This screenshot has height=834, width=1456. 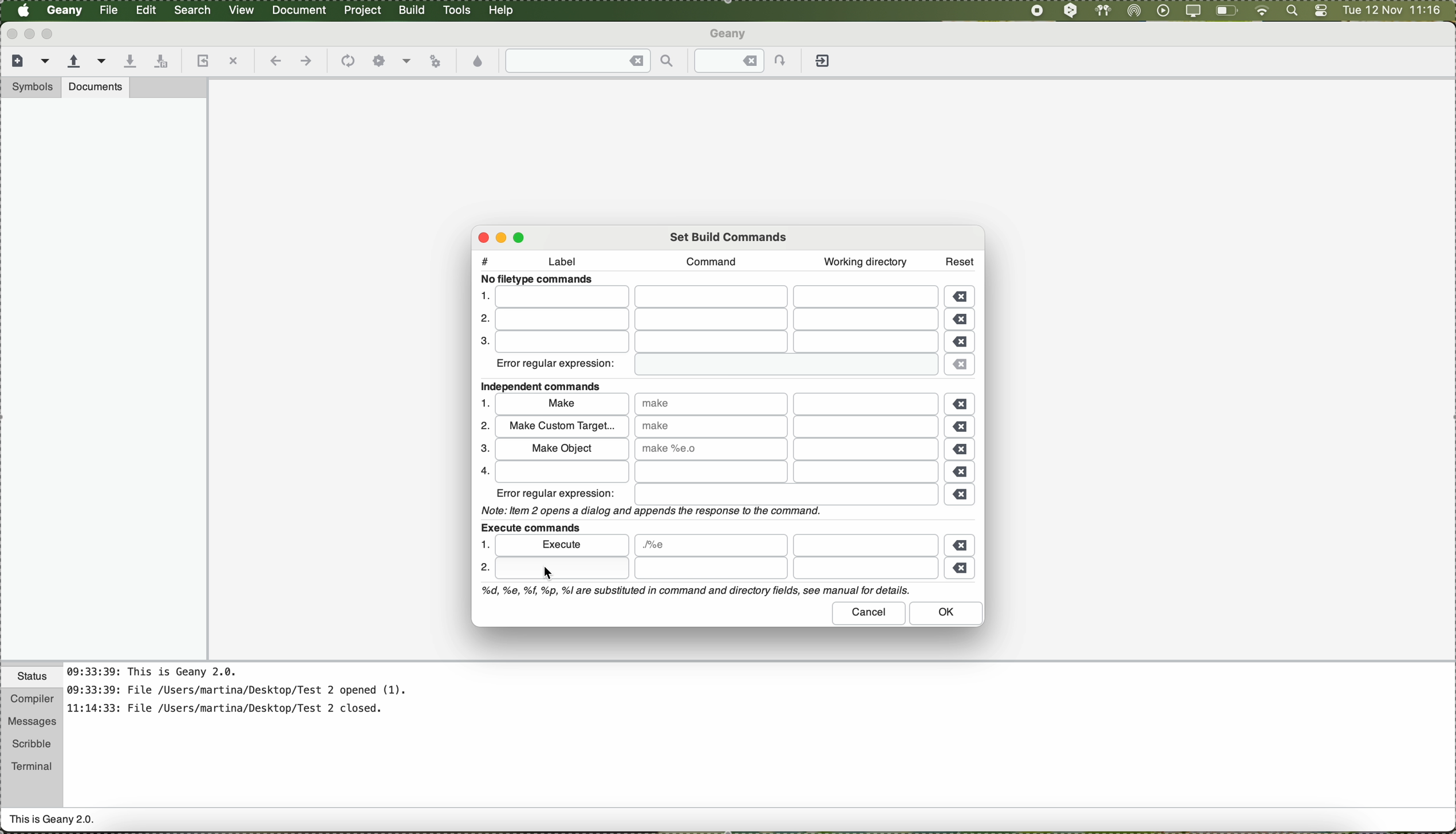 I want to click on airpods, so click(x=1102, y=10).